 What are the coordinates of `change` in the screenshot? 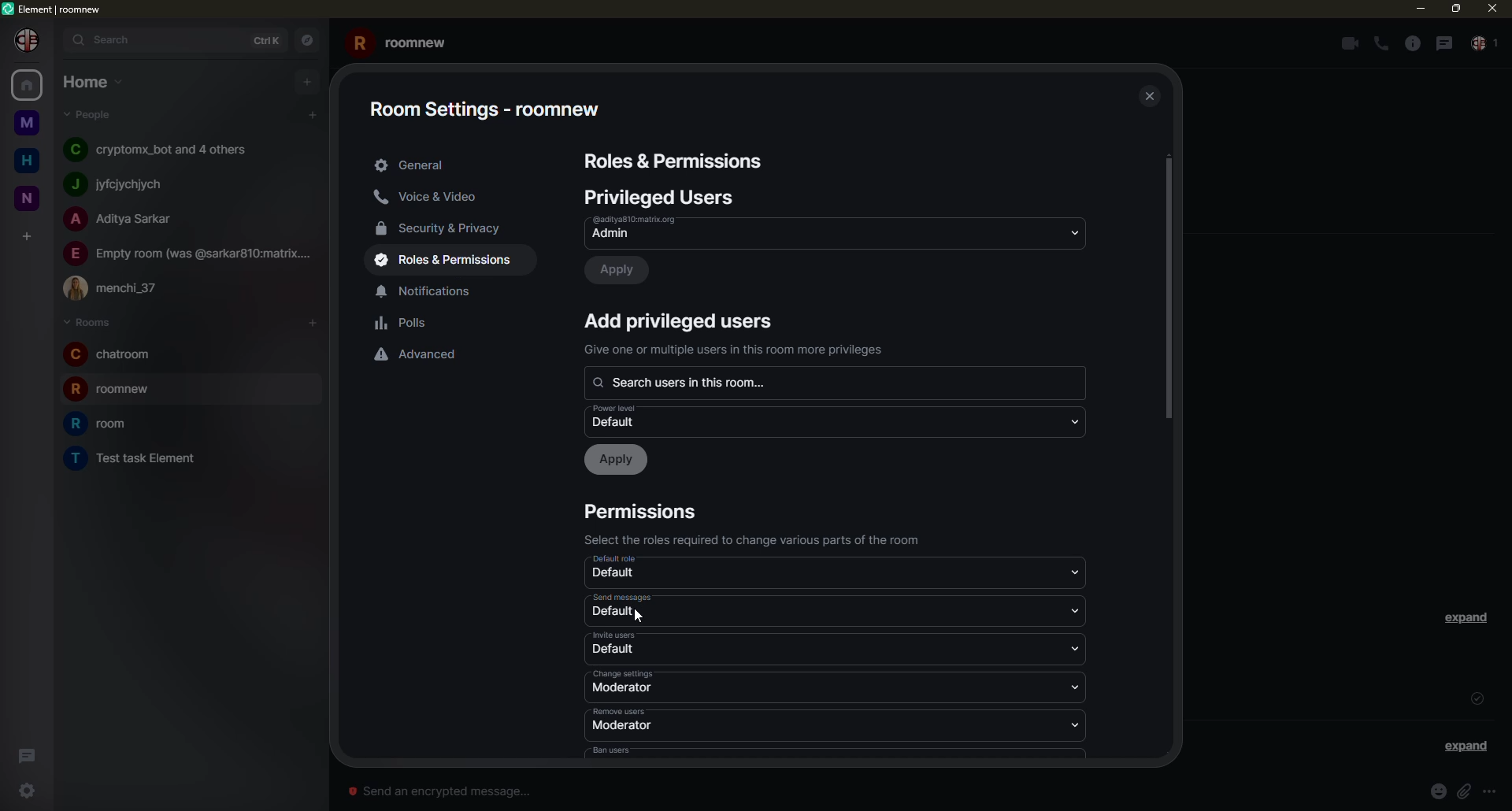 It's located at (624, 673).